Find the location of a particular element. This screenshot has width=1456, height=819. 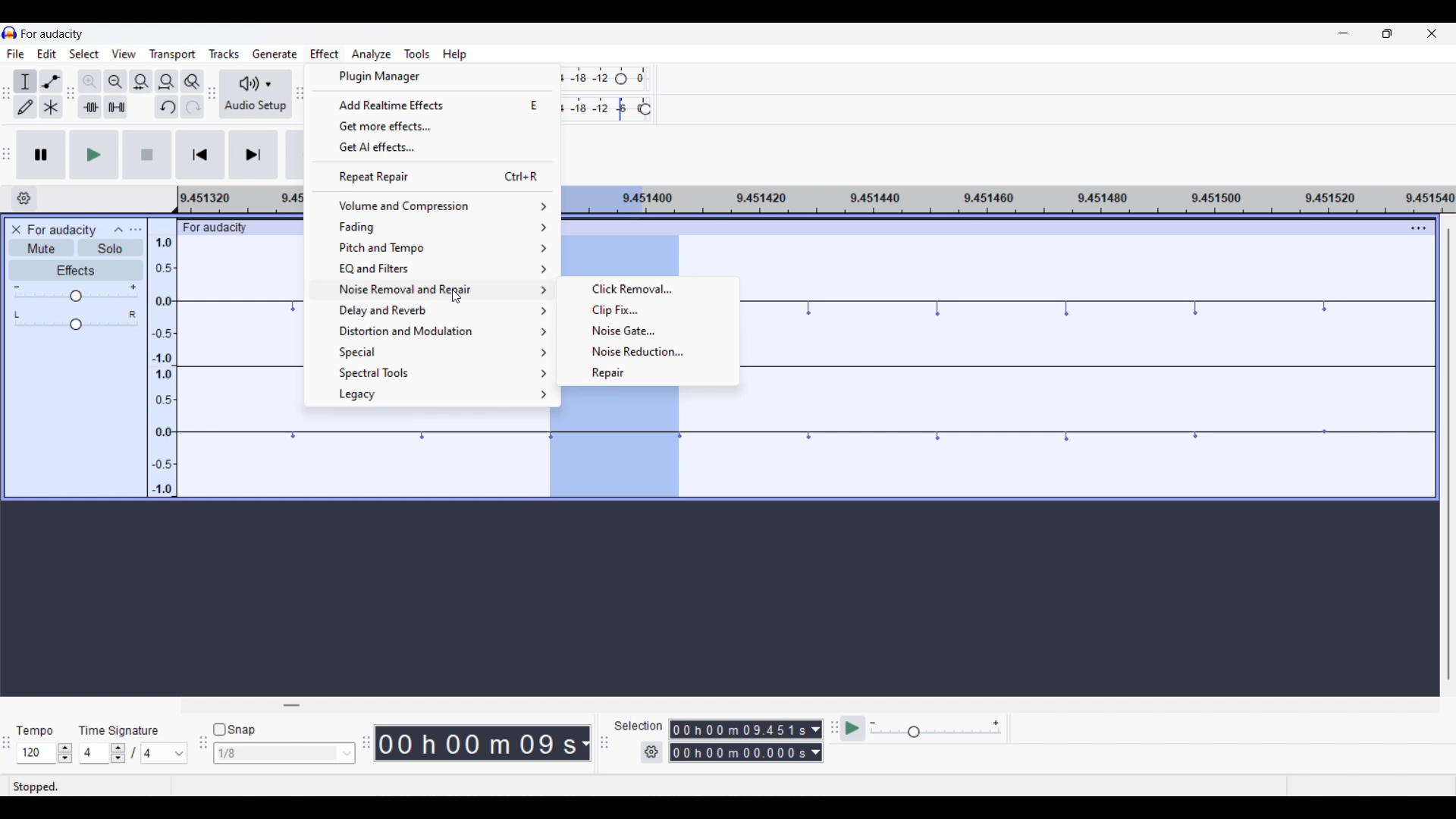

Track settings is located at coordinates (1419, 228).